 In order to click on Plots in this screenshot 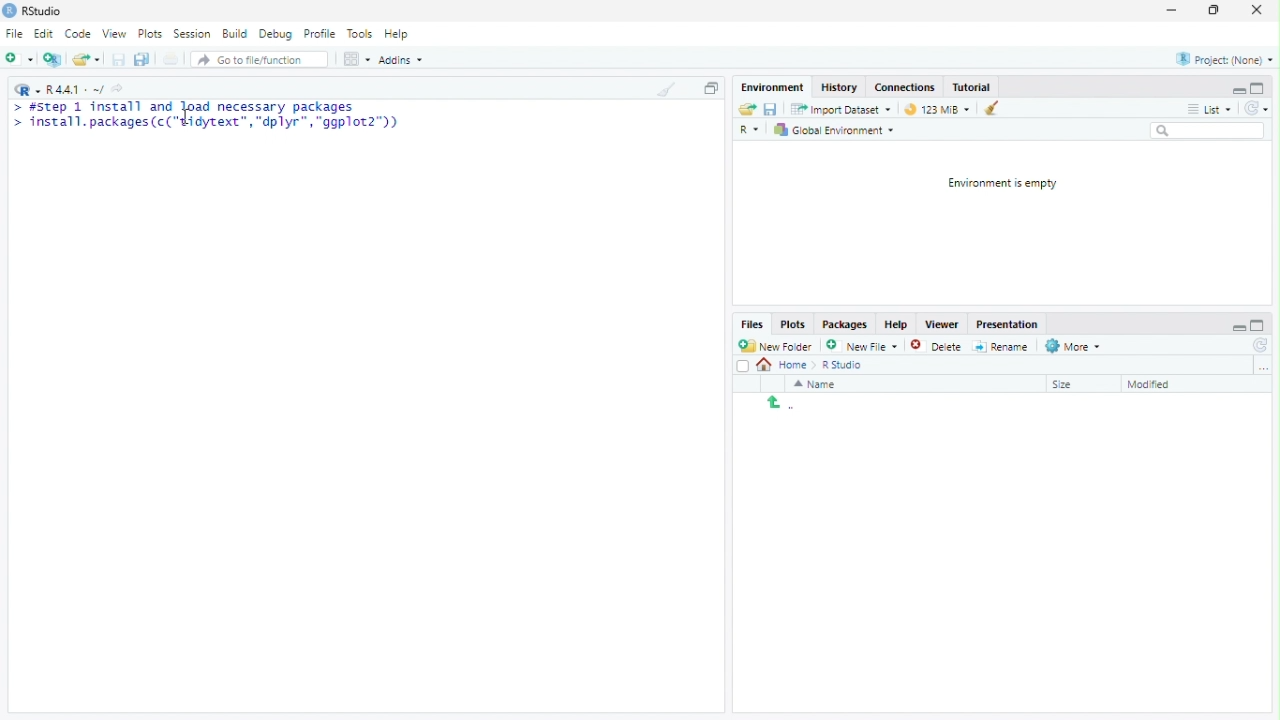, I will do `click(149, 34)`.